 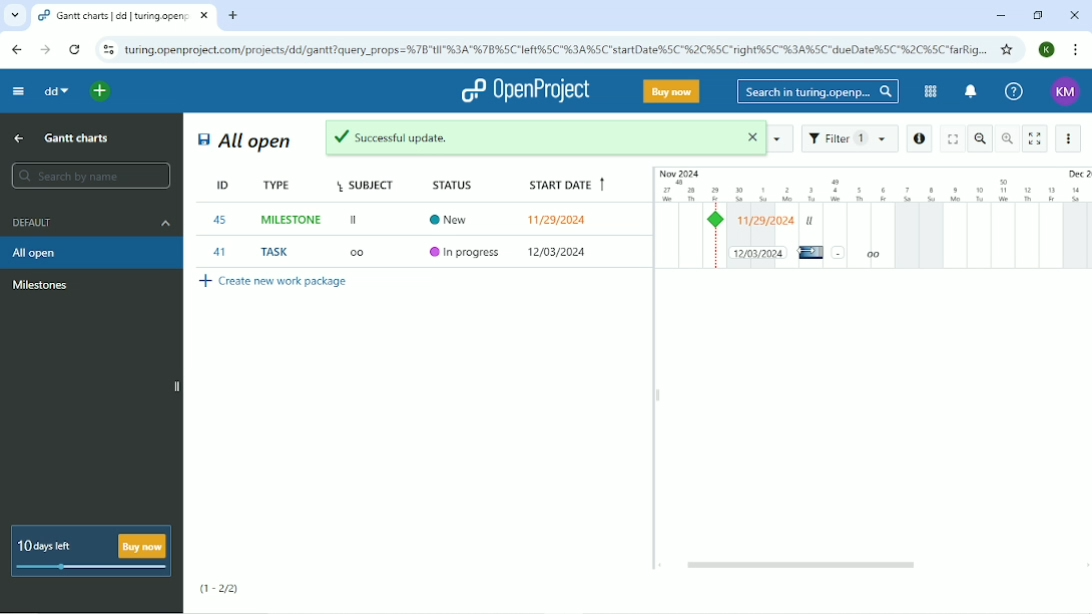 I want to click on Type, so click(x=279, y=185).